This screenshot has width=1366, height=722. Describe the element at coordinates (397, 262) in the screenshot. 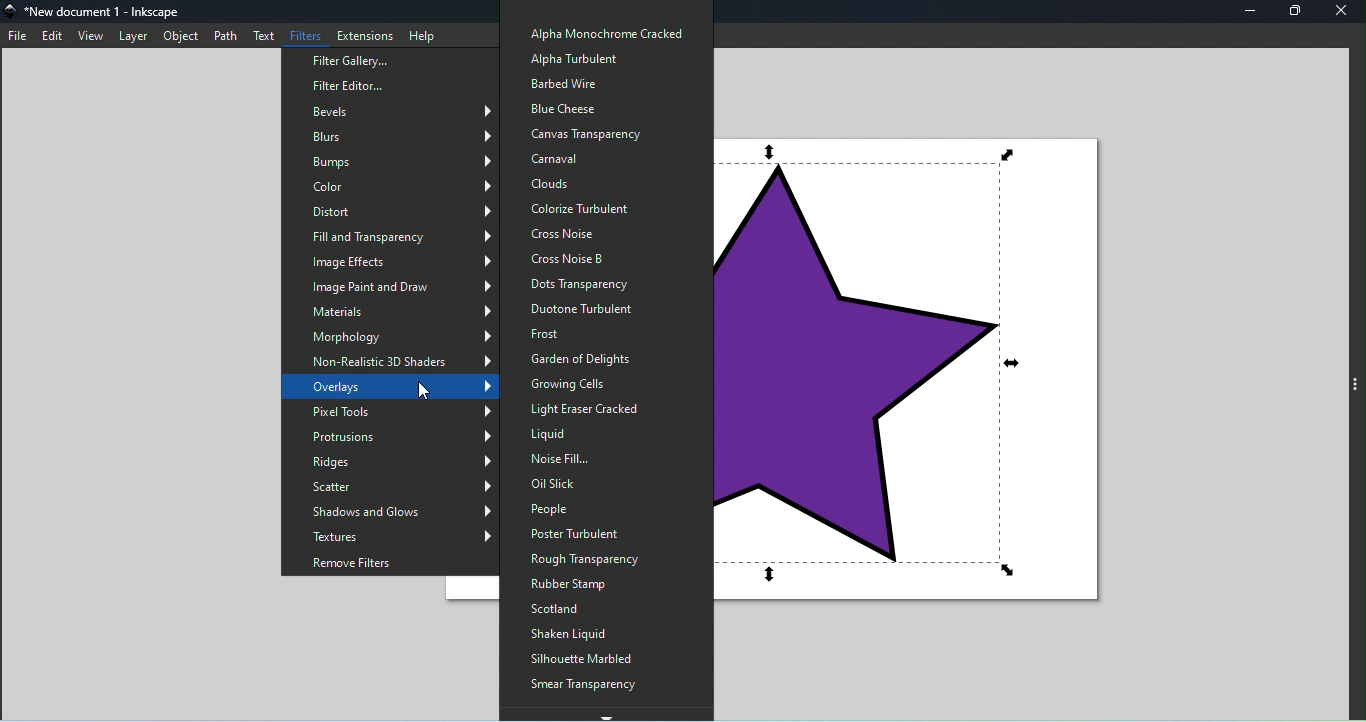

I see `Image effects` at that location.